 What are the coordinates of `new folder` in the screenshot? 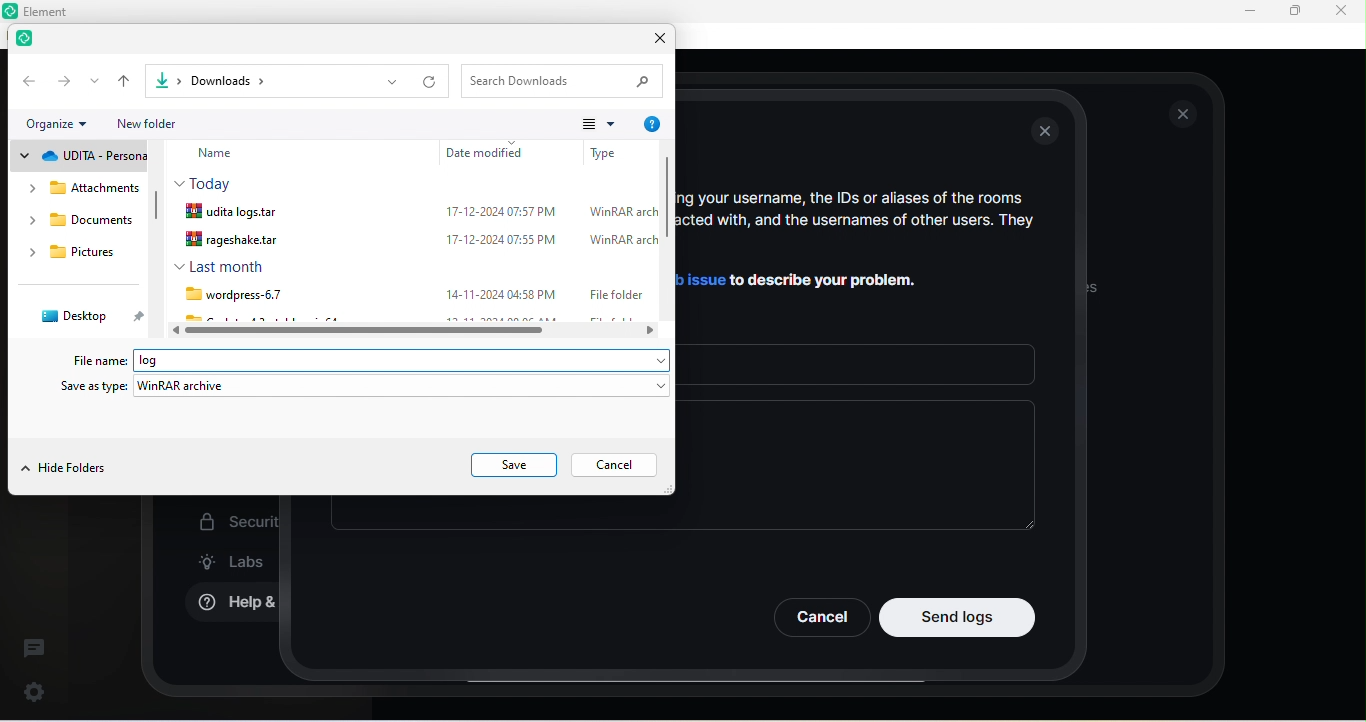 It's located at (161, 123).